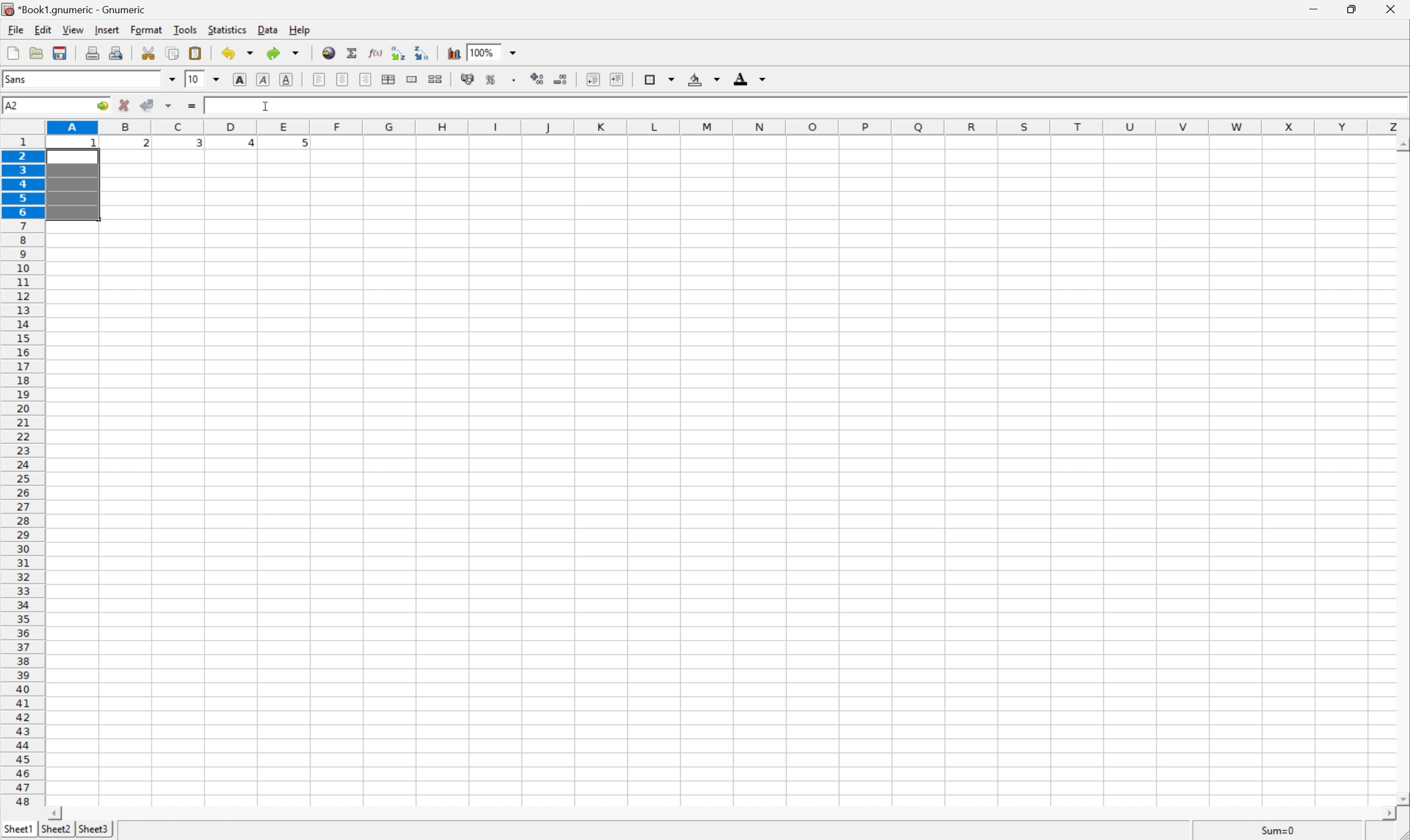  I want to click on 2, so click(146, 145).